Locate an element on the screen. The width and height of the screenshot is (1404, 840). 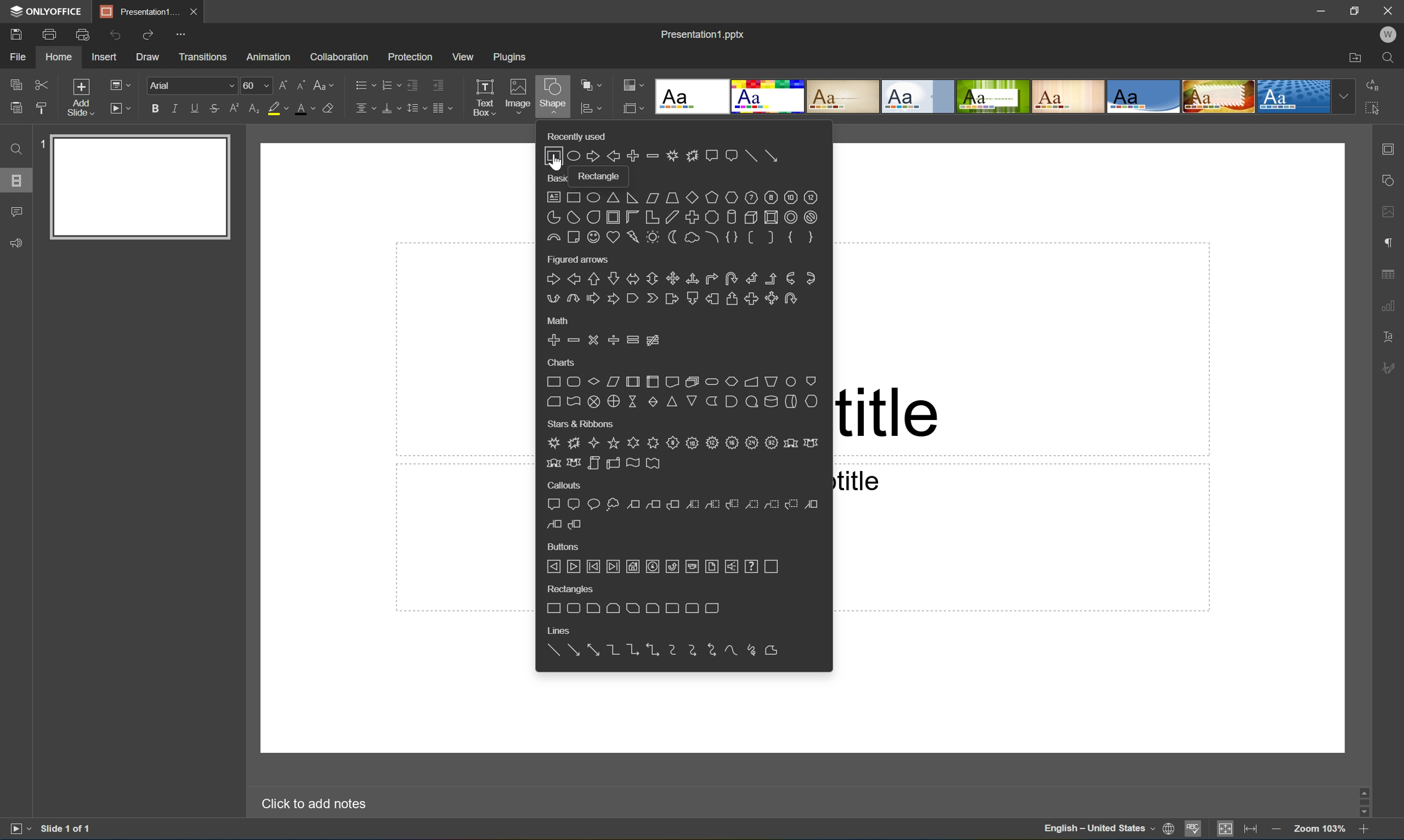
icon is located at coordinates (631, 107).